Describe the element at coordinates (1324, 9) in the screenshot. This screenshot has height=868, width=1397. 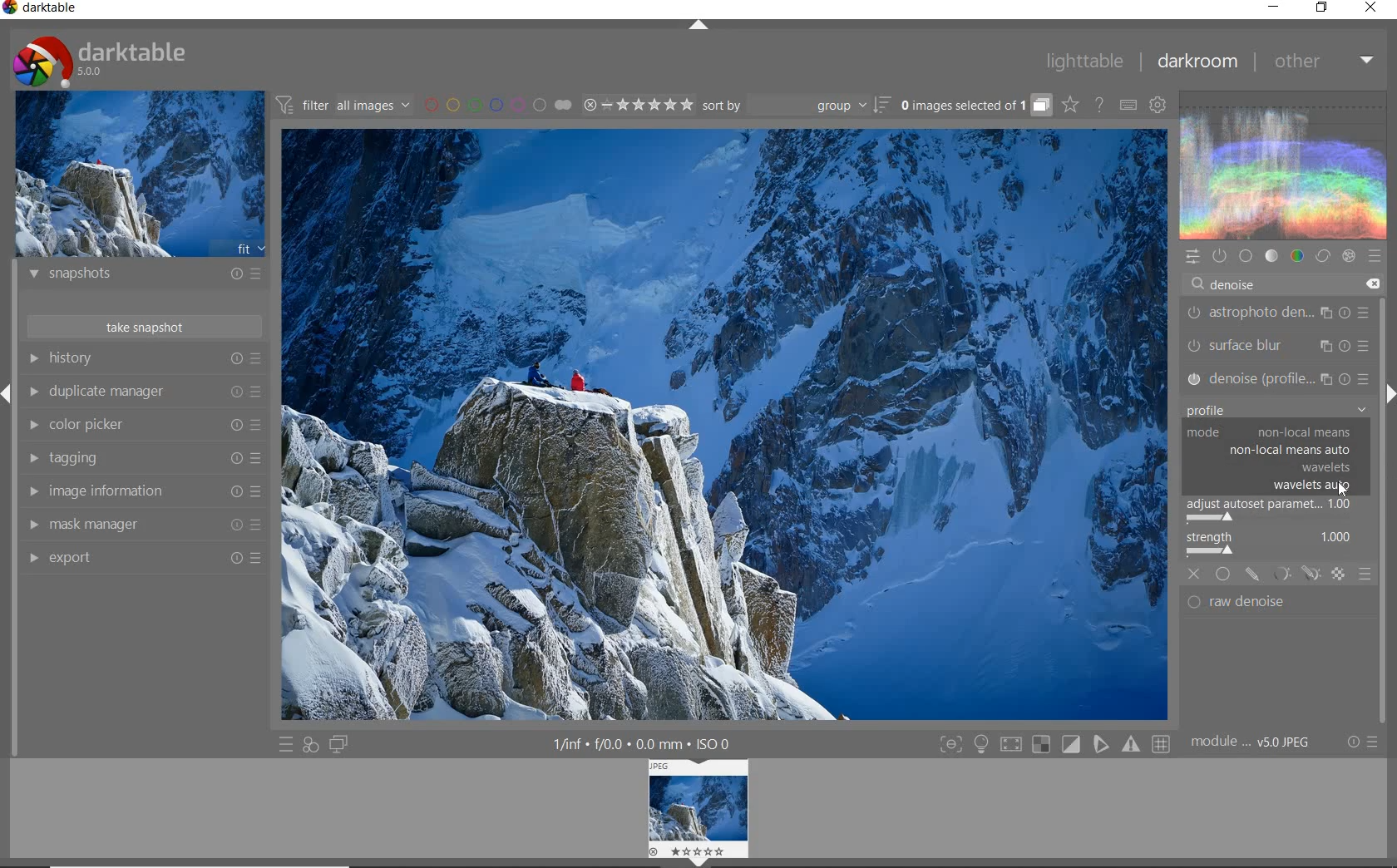
I see `restore` at that location.